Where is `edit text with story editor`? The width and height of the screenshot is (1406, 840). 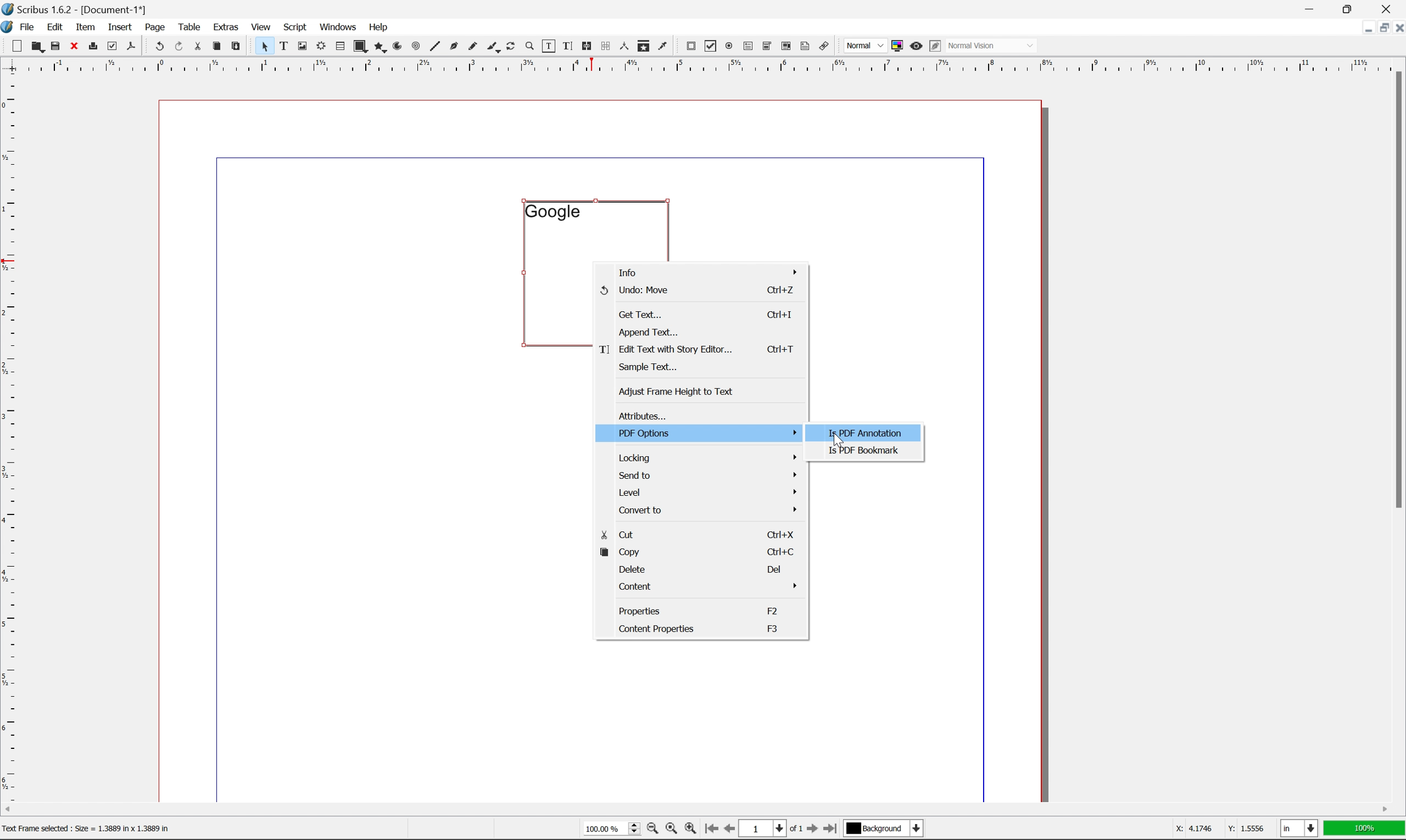
edit text with story editor is located at coordinates (565, 45).